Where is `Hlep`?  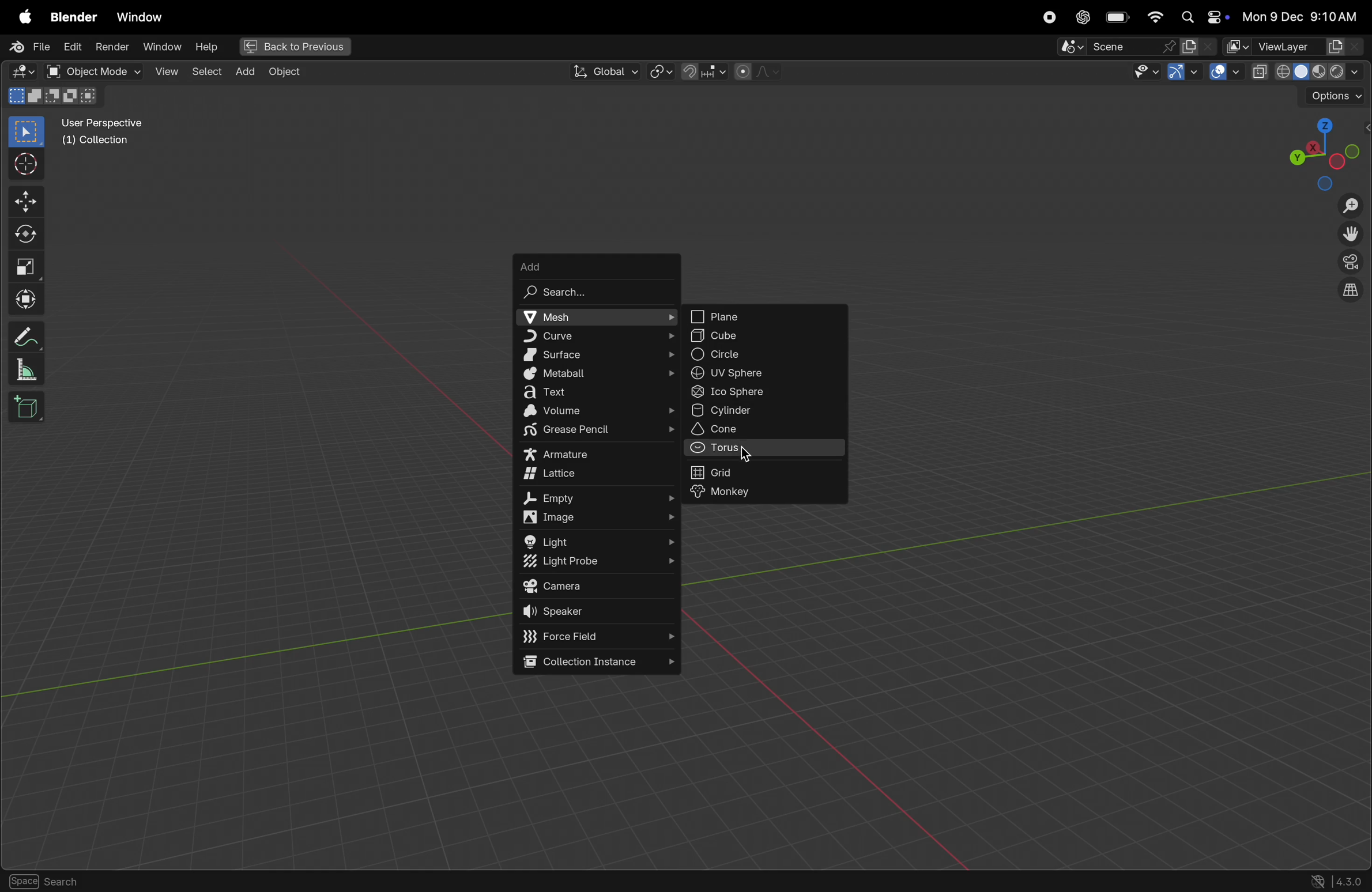 Hlep is located at coordinates (205, 47).